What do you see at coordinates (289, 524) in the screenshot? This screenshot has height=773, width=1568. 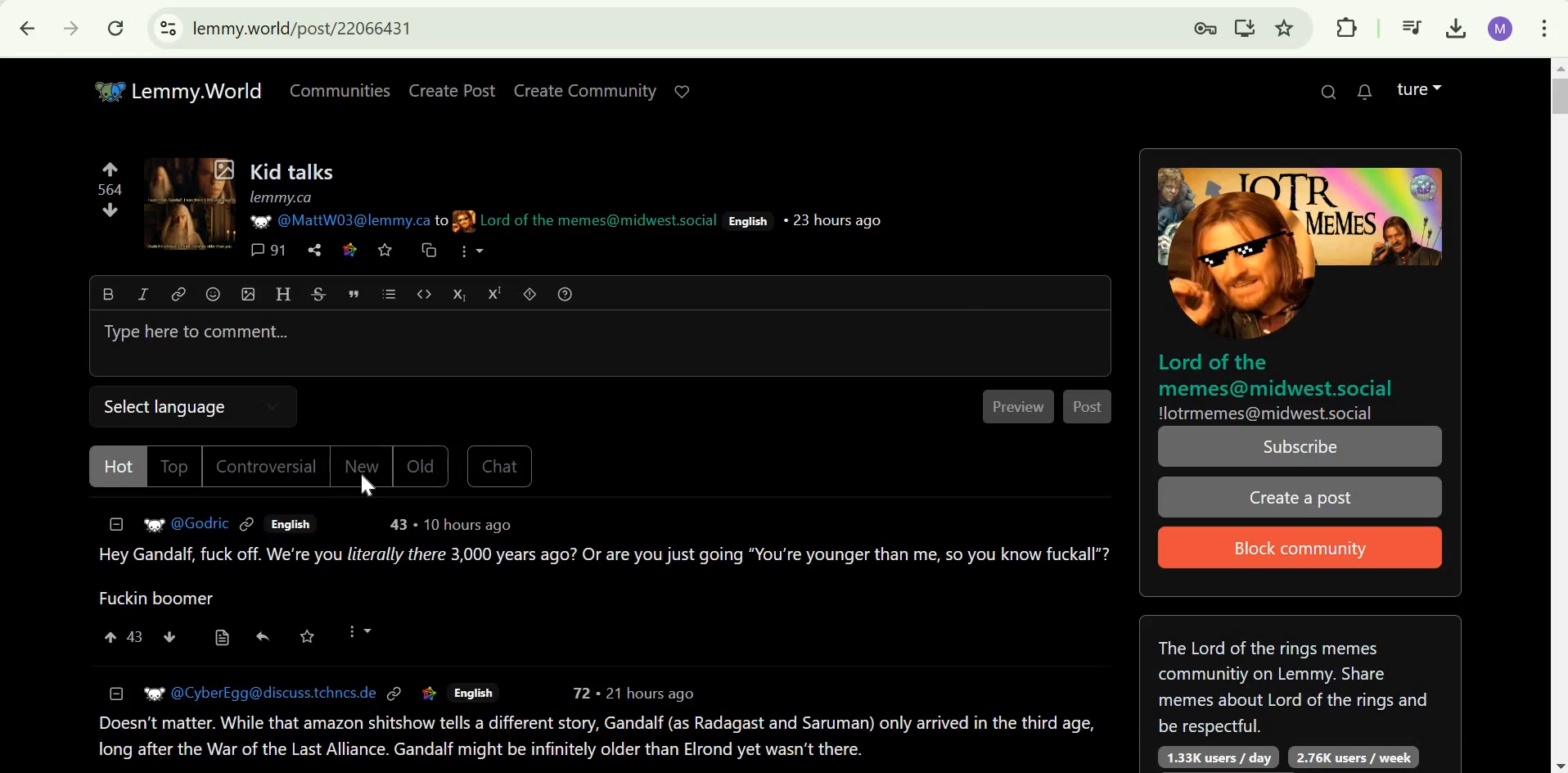 I see `english` at bounding box center [289, 524].